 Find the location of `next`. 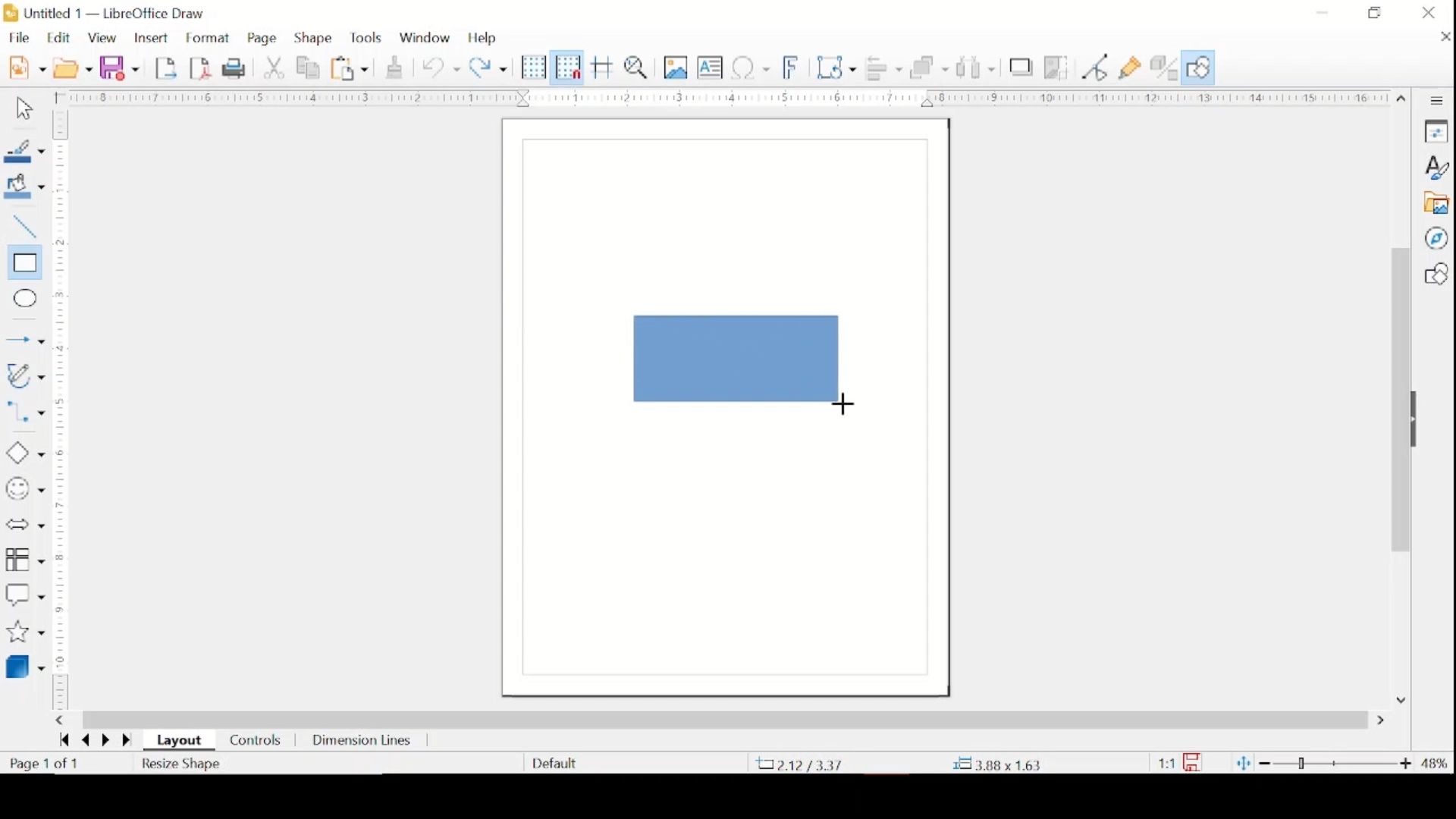

next is located at coordinates (104, 739).